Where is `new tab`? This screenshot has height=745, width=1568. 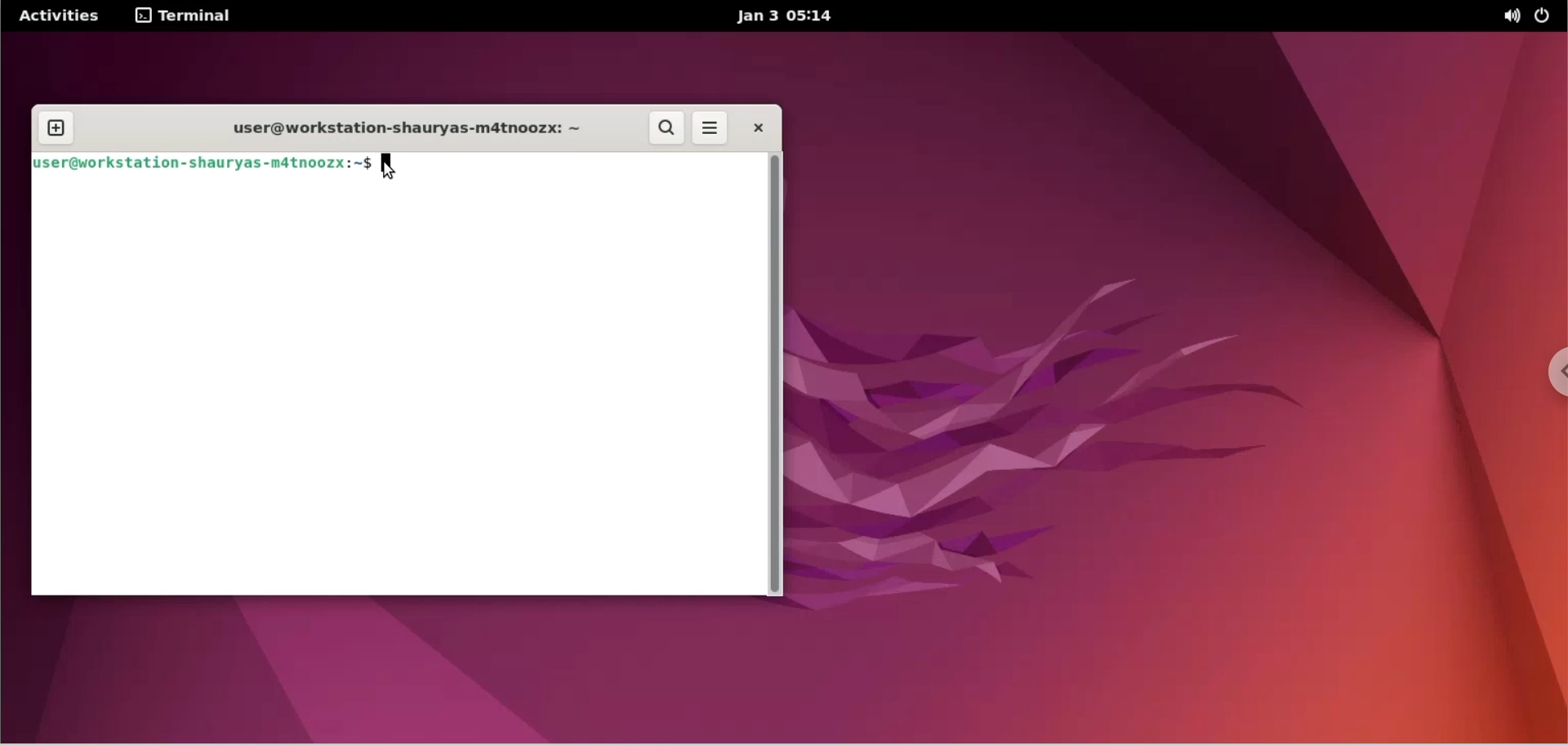
new tab is located at coordinates (55, 130).